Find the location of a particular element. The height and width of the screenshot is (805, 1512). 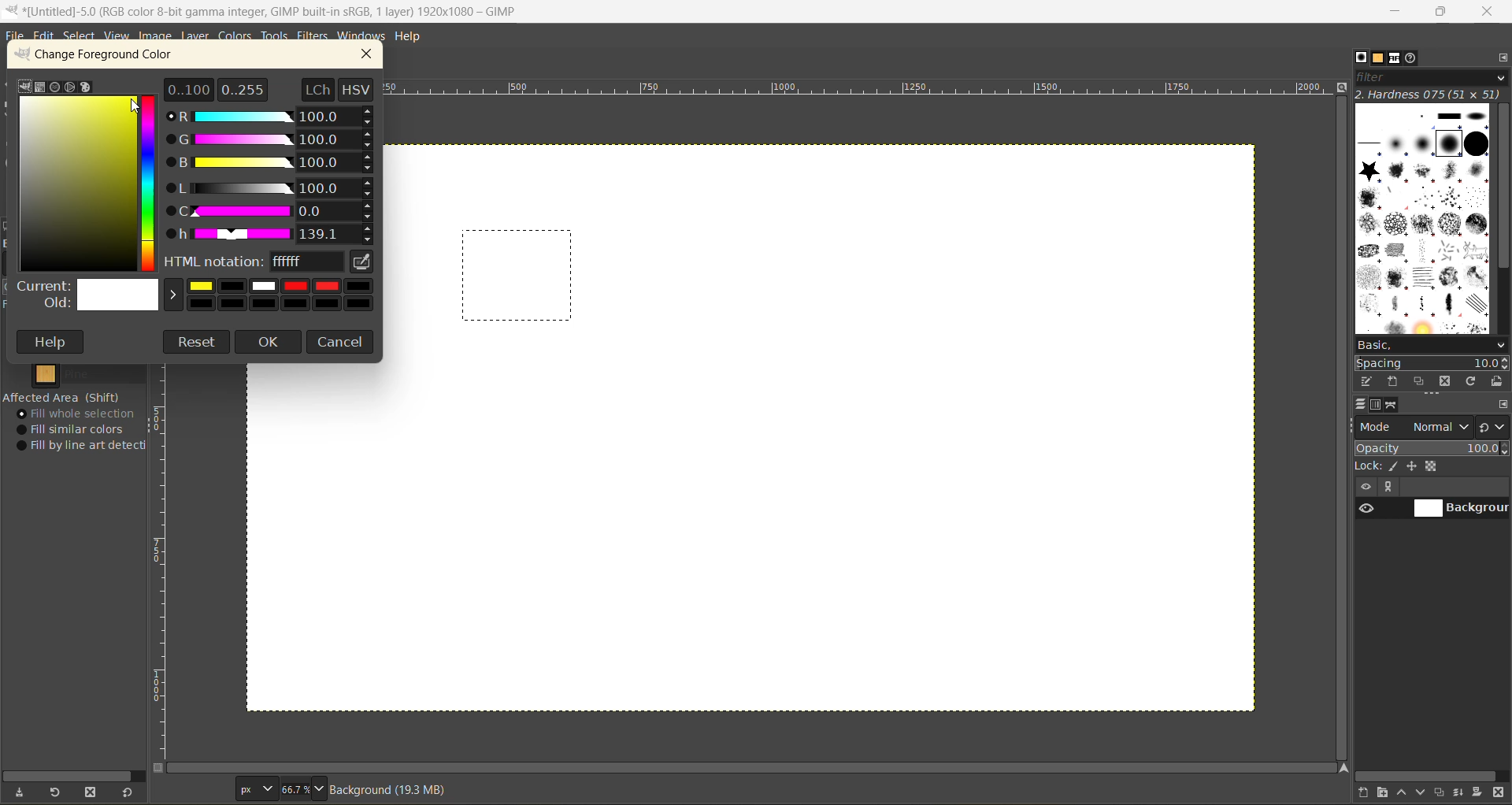

select is located at coordinates (83, 38).